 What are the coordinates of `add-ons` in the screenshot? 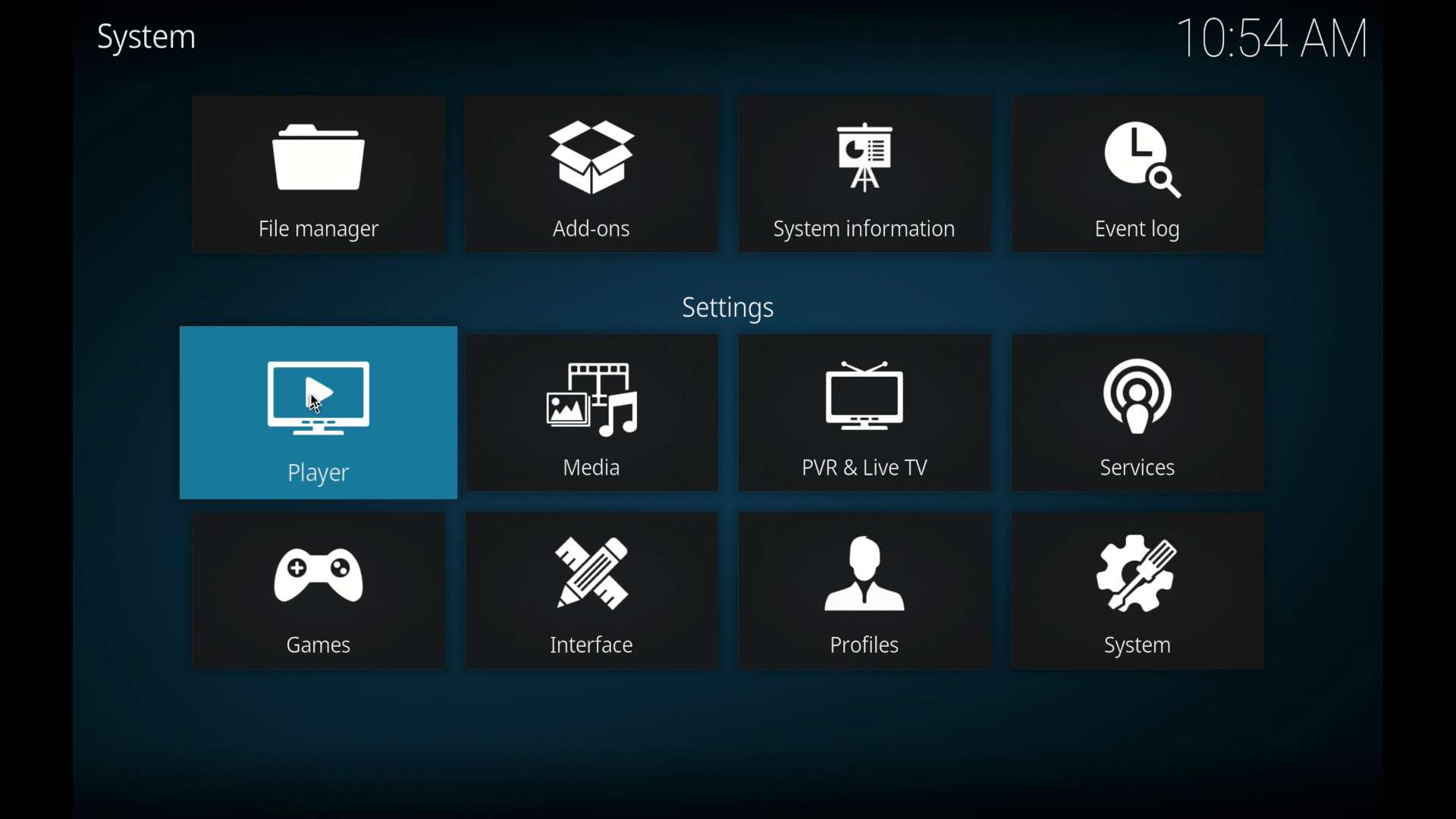 It's located at (591, 173).